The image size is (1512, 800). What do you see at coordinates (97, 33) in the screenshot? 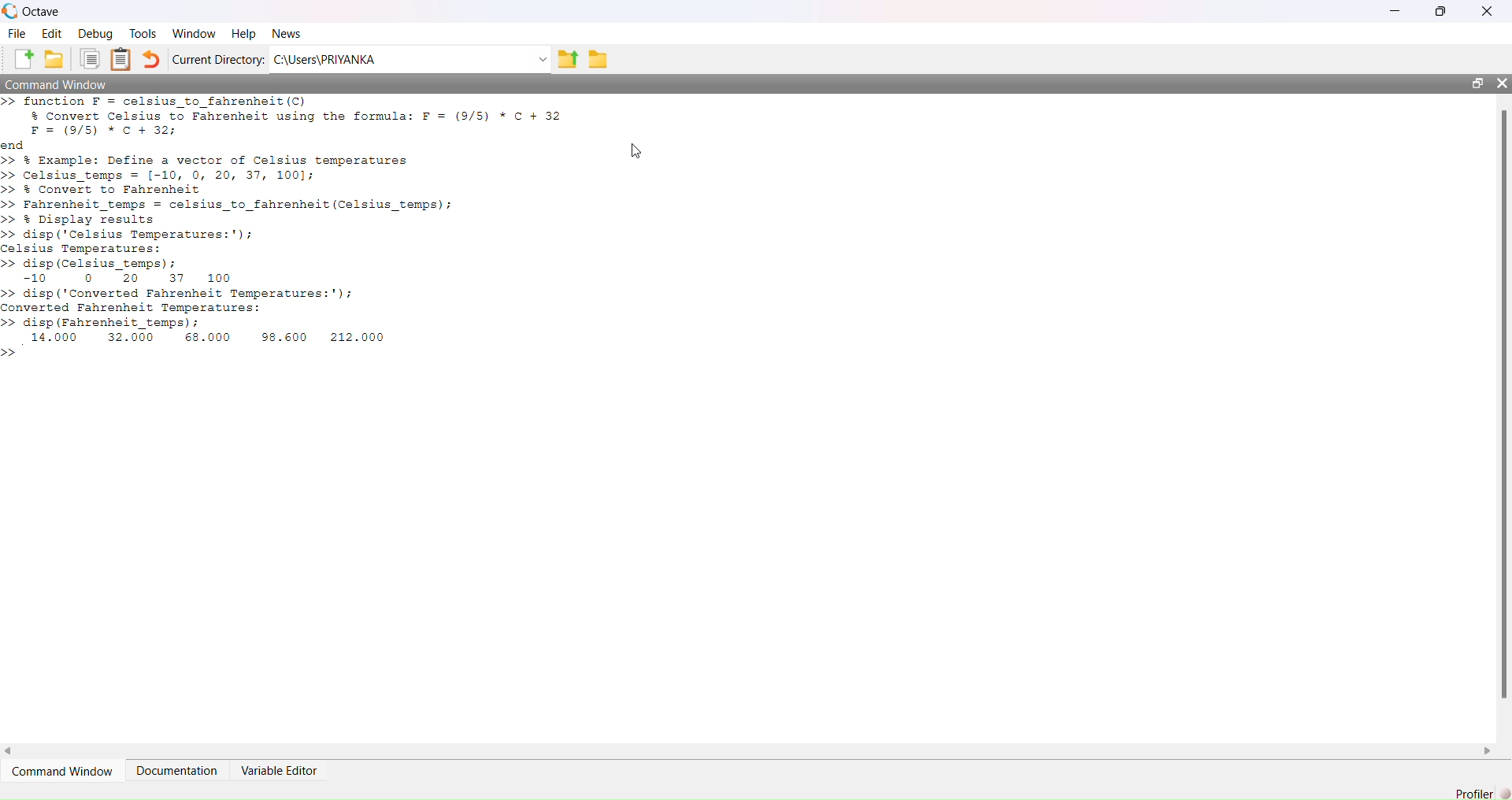
I see `Debug` at bounding box center [97, 33].